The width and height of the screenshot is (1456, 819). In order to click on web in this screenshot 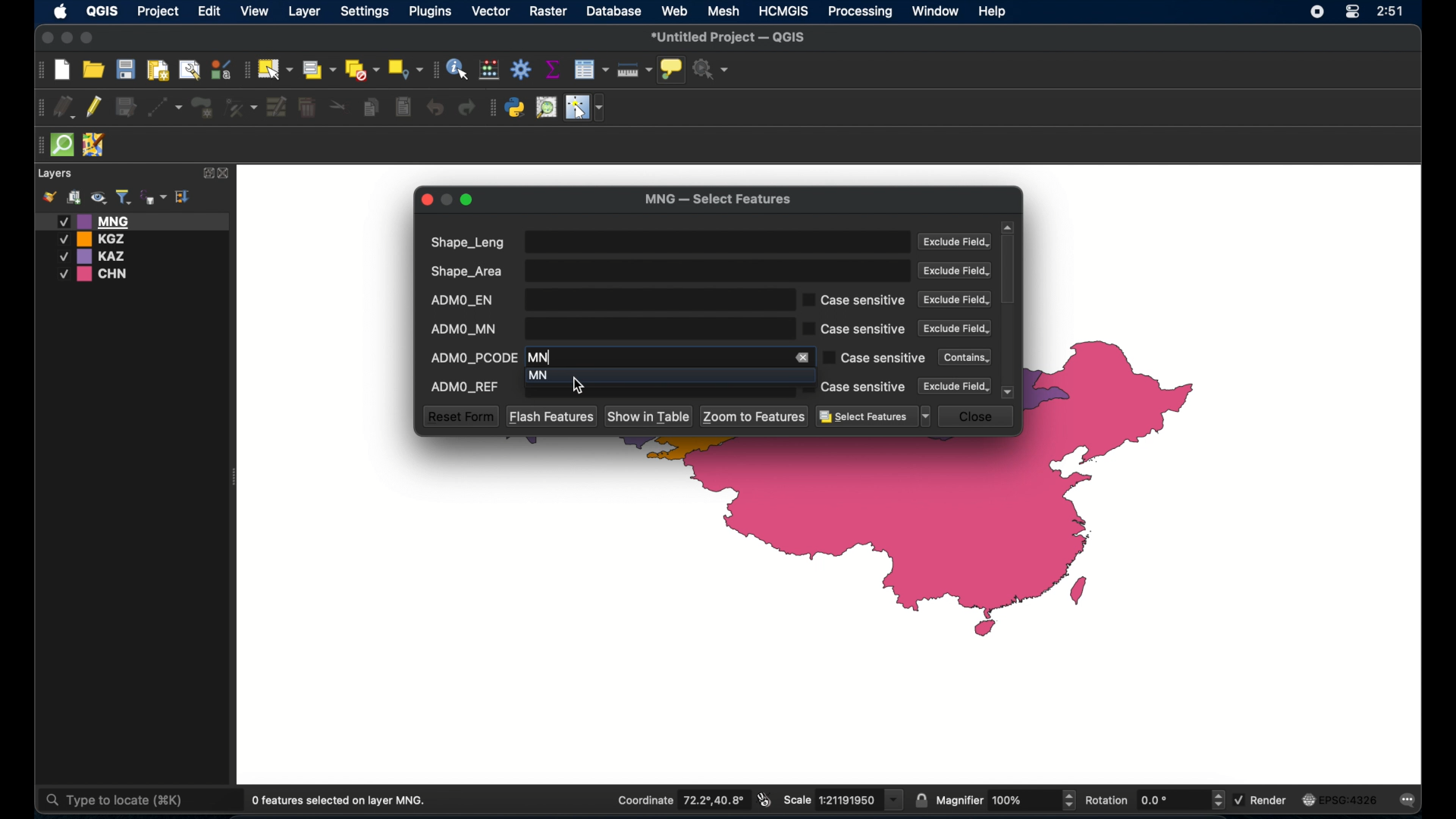, I will do `click(675, 11)`.